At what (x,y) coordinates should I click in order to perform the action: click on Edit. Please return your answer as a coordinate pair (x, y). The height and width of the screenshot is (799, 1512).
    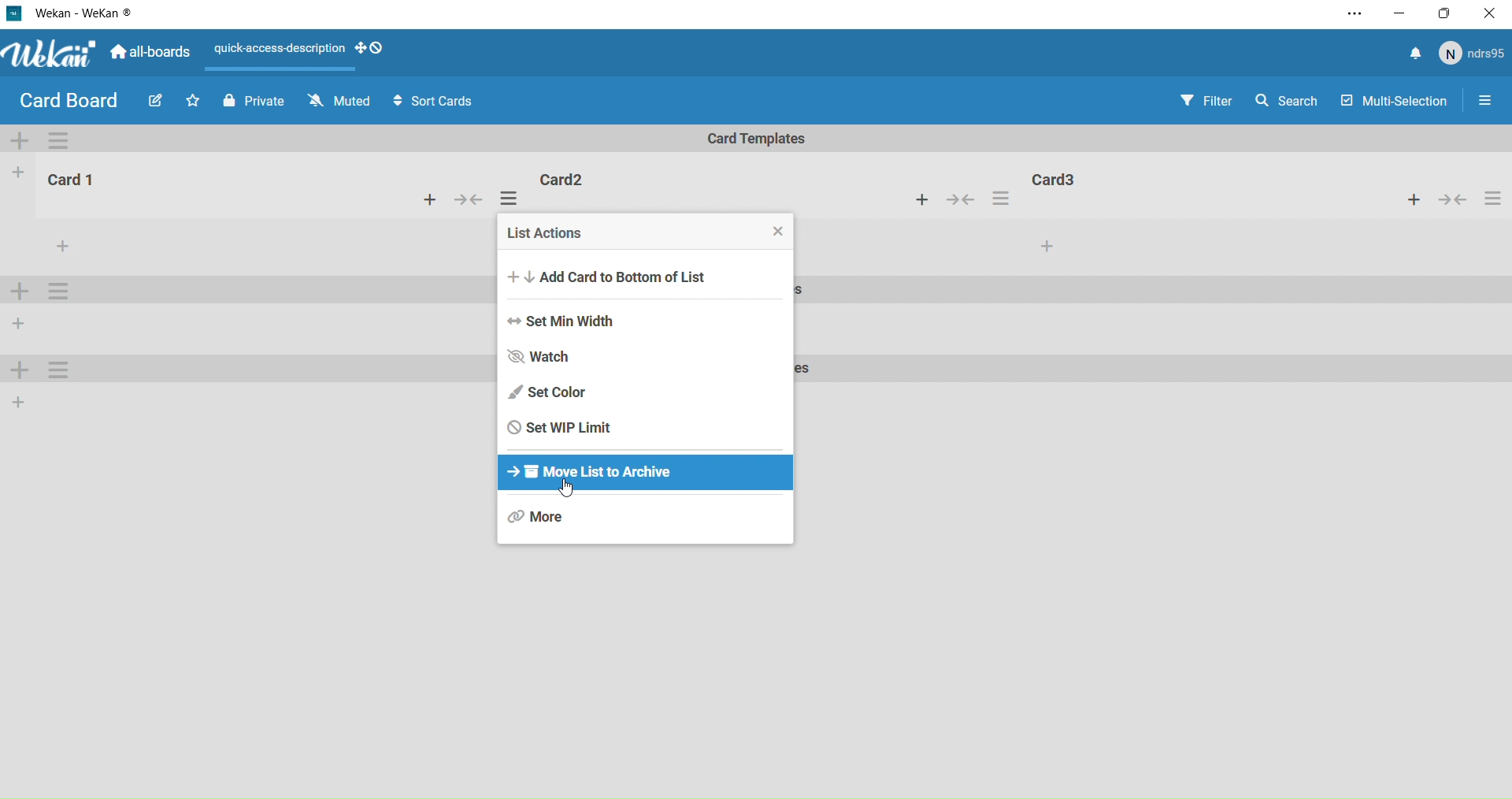
    Looking at the image, I should click on (154, 99).